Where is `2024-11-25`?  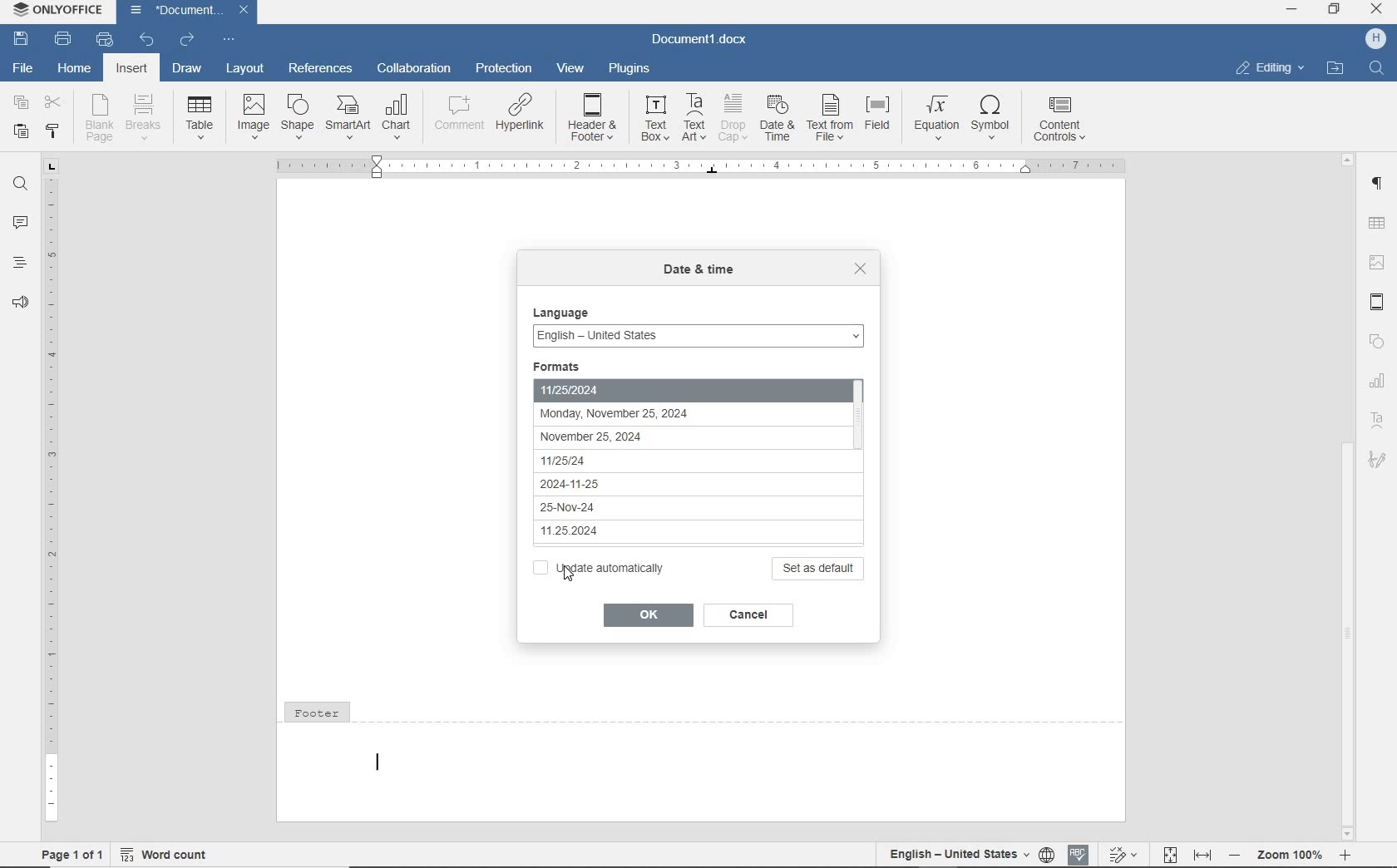
2024-11-25 is located at coordinates (634, 482).